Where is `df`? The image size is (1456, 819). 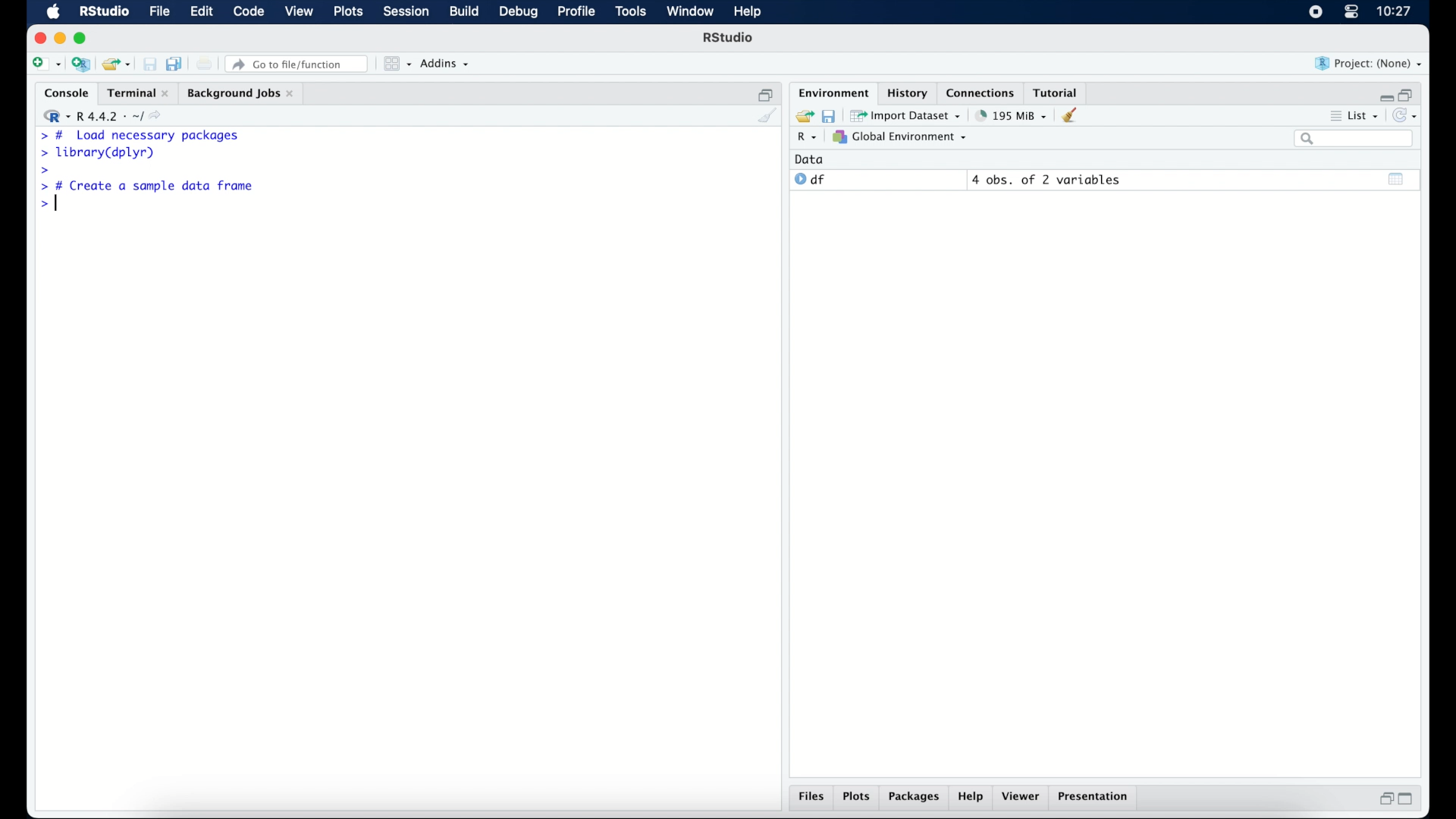
df is located at coordinates (810, 180).